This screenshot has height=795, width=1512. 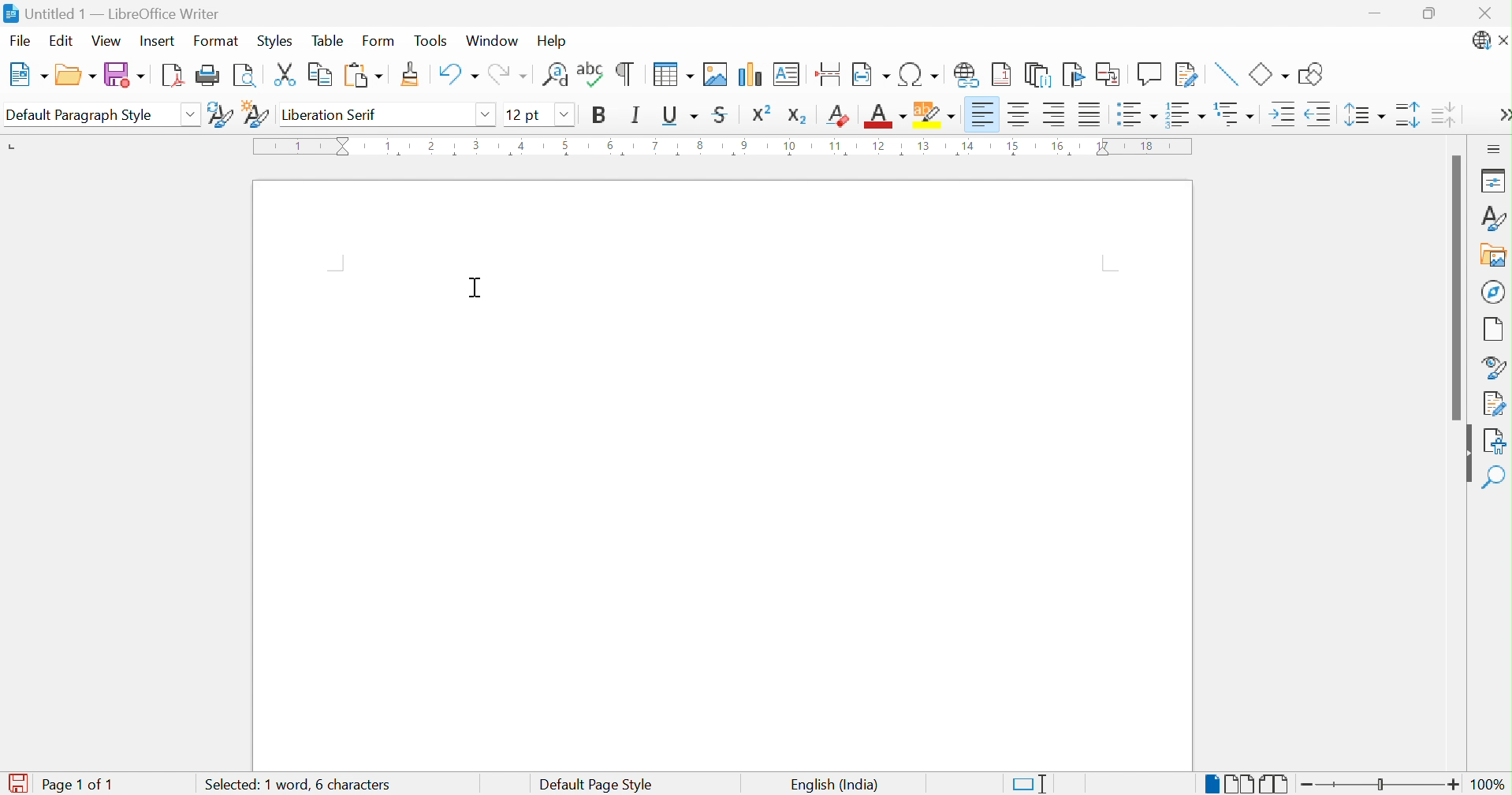 What do you see at coordinates (750, 73) in the screenshot?
I see `Insert Chart` at bounding box center [750, 73].